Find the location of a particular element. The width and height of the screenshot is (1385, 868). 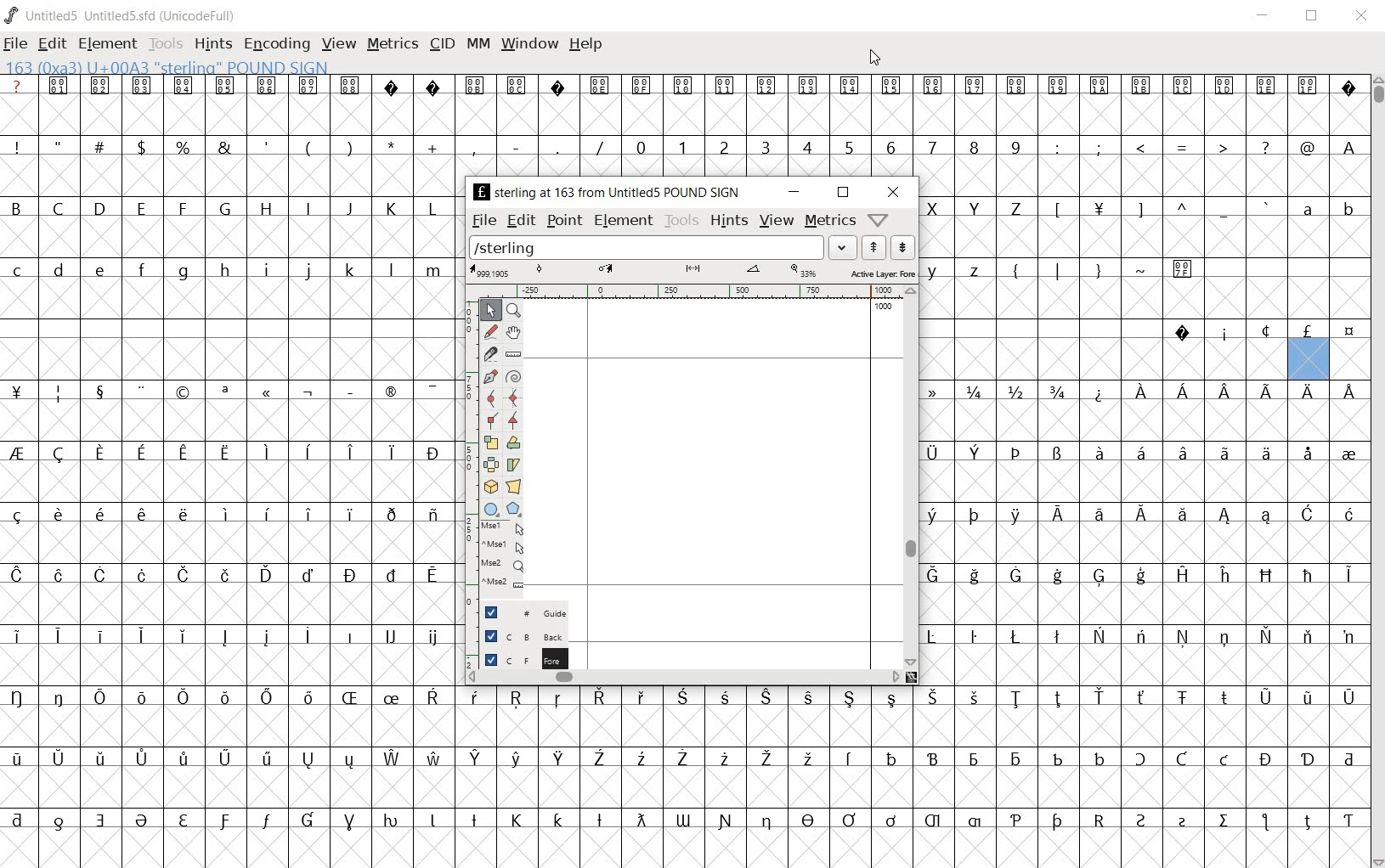

edit is located at coordinates (53, 45).